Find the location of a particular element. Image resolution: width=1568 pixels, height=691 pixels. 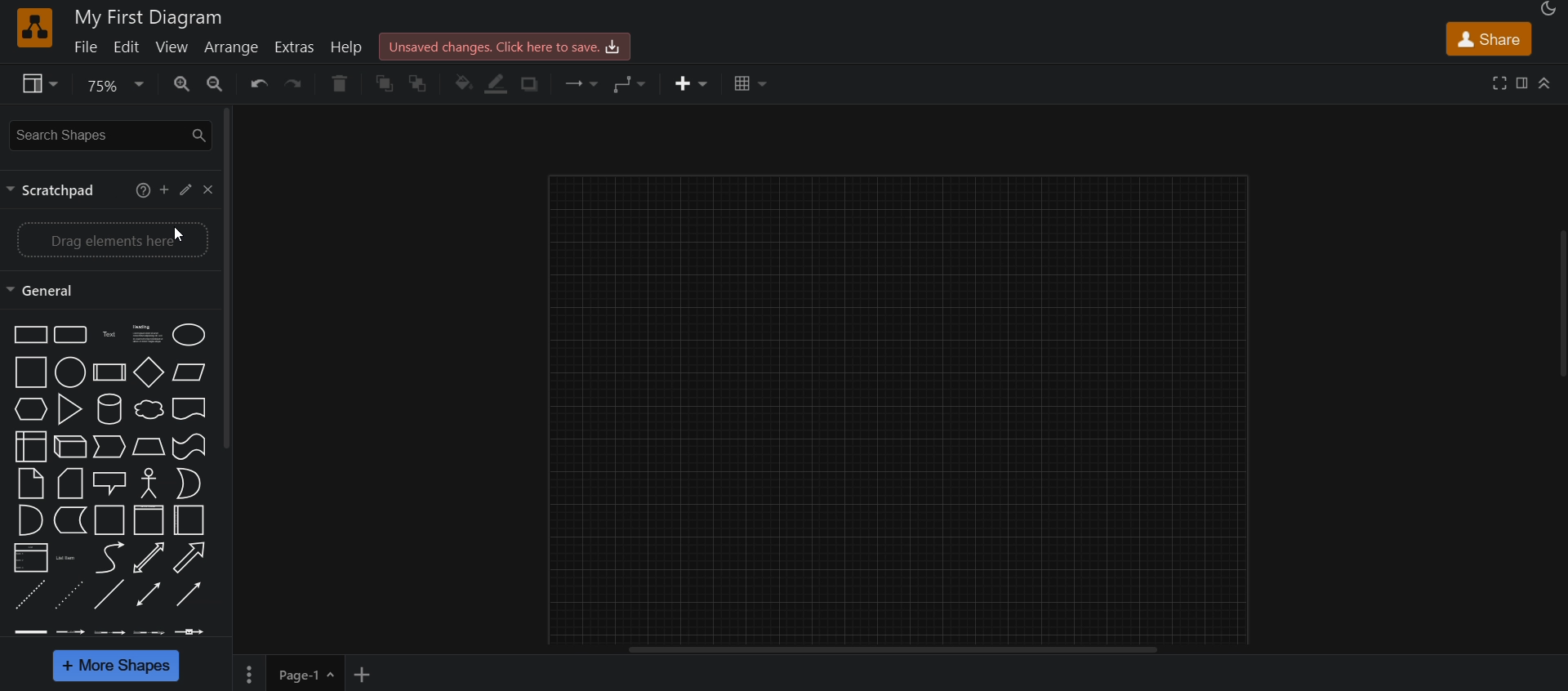

cursor is located at coordinates (172, 237).